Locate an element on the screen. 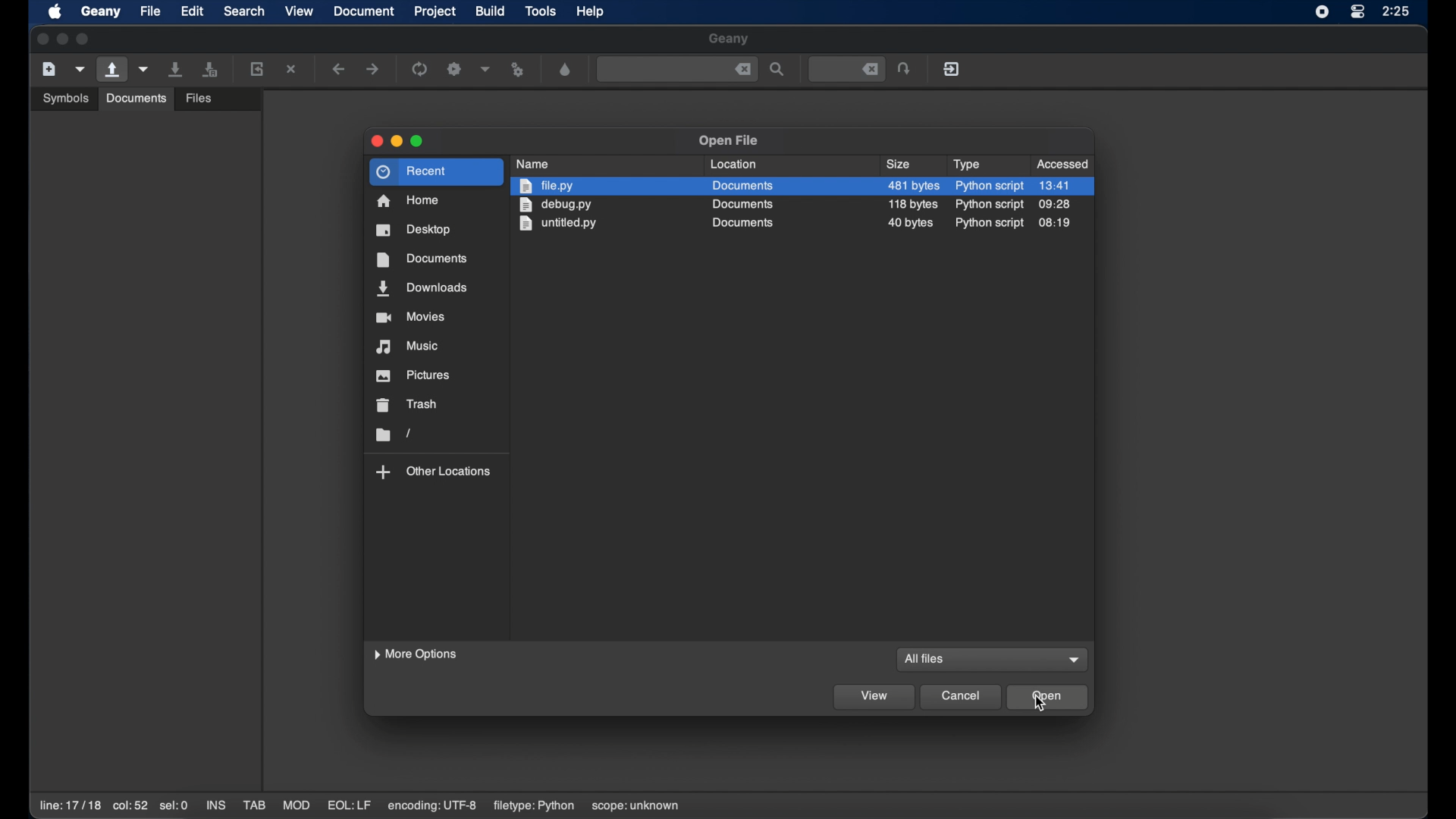 This screenshot has height=819, width=1456. close is located at coordinates (40, 39).